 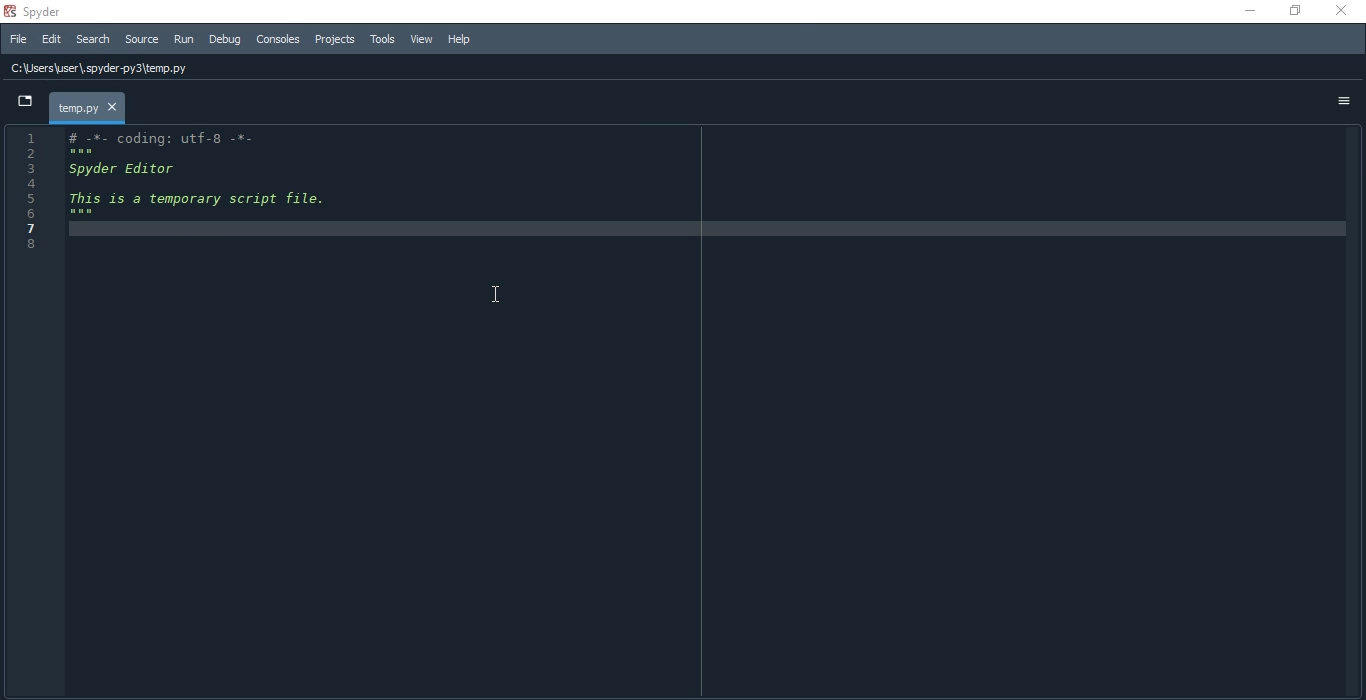 What do you see at coordinates (35, 245) in the screenshot?
I see `8` at bounding box center [35, 245].